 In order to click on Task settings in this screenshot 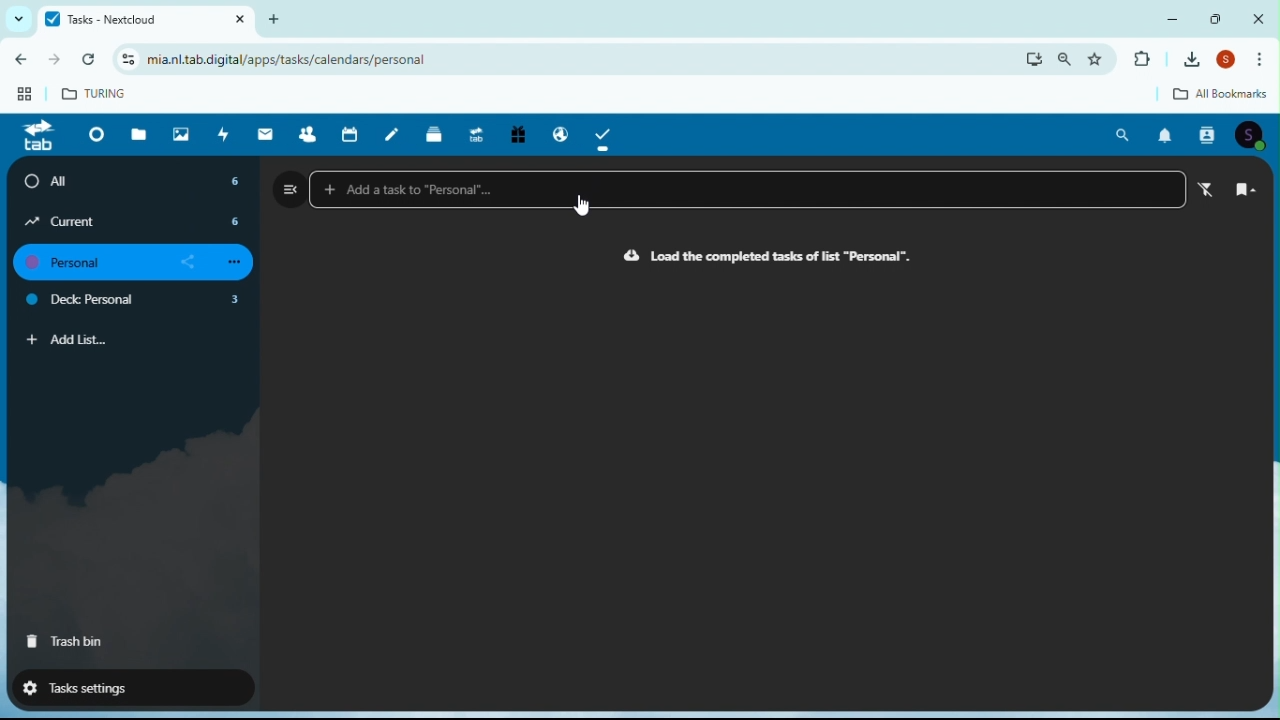, I will do `click(123, 686)`.